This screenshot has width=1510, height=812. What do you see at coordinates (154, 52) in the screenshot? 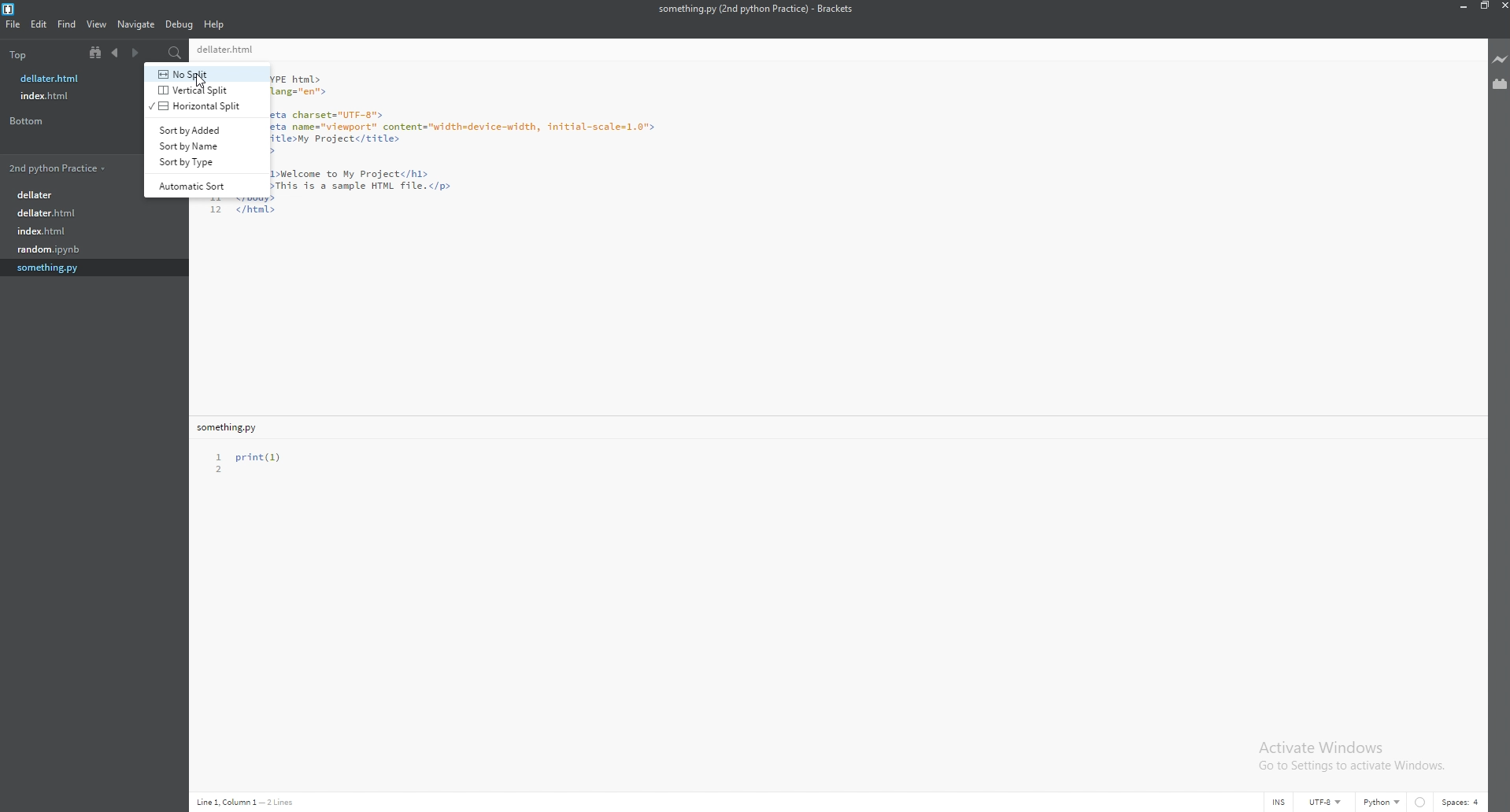
I see `split view` at bounding box center [154, 52].